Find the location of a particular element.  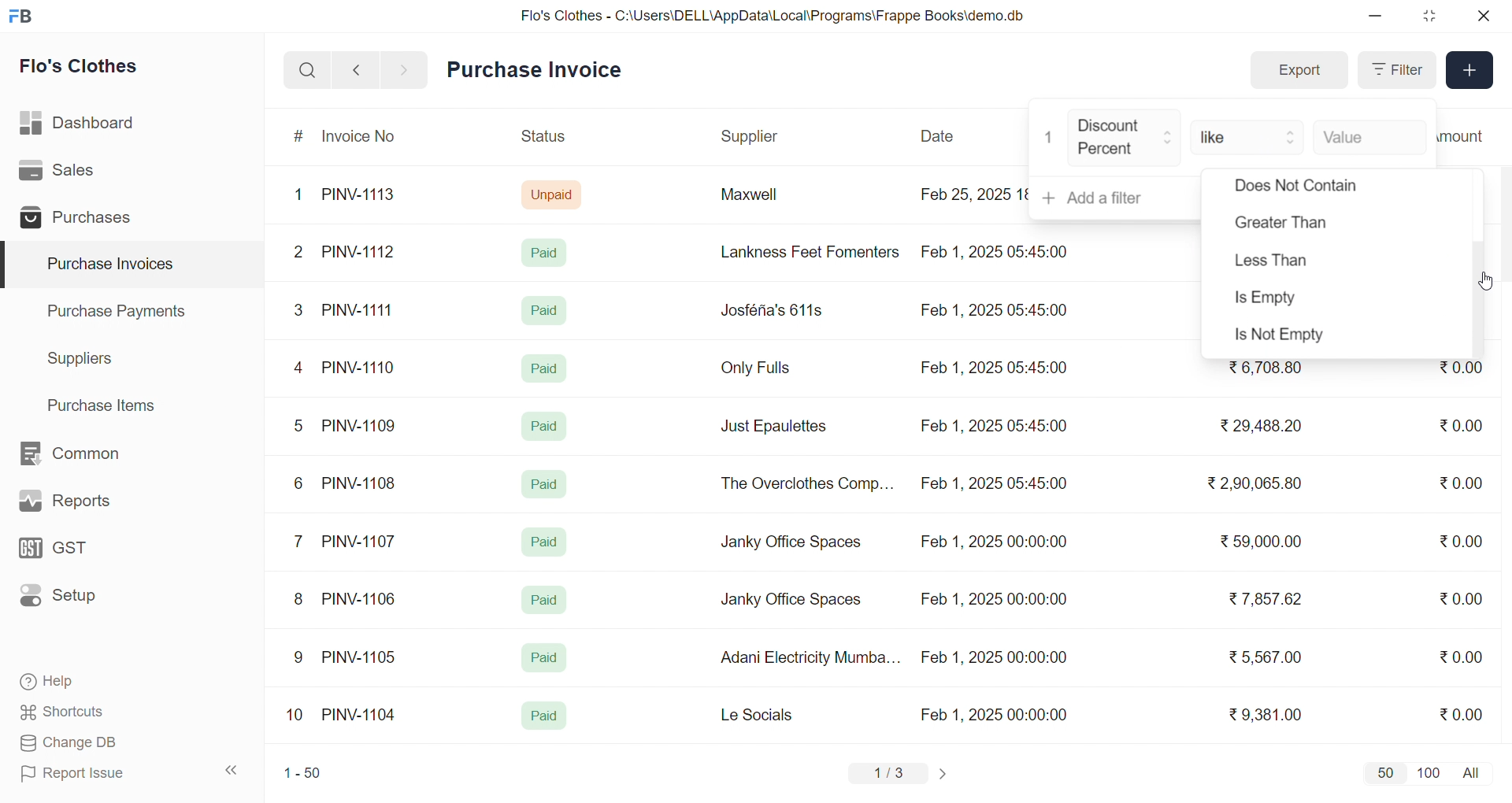

search is located at coordinates (307, 70).